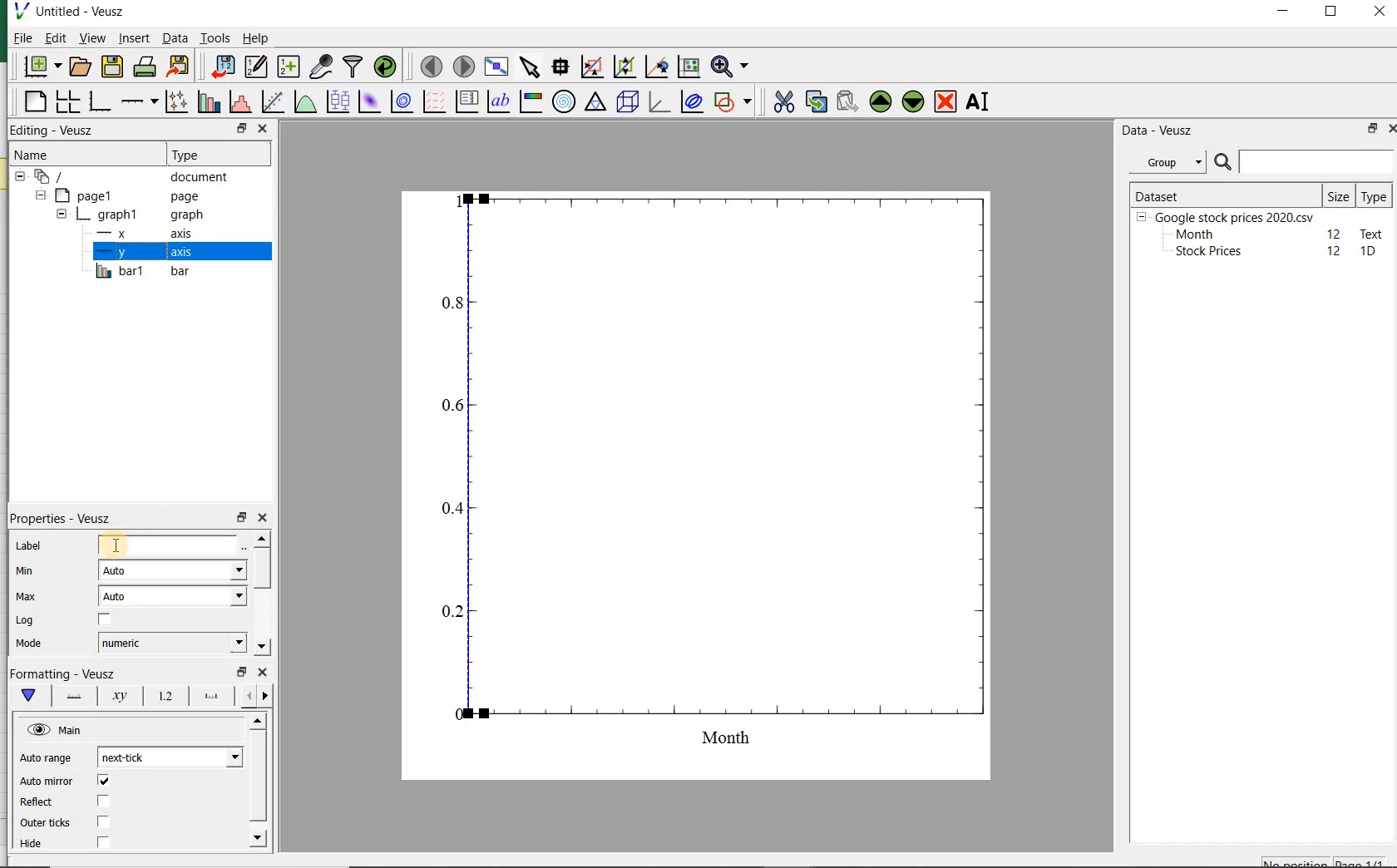 The height and width of the screenshot is (868, 1397). What do you see at coordinates (258, 40) in the screenshot?
I see `Help` at bounding box center [258, 40].